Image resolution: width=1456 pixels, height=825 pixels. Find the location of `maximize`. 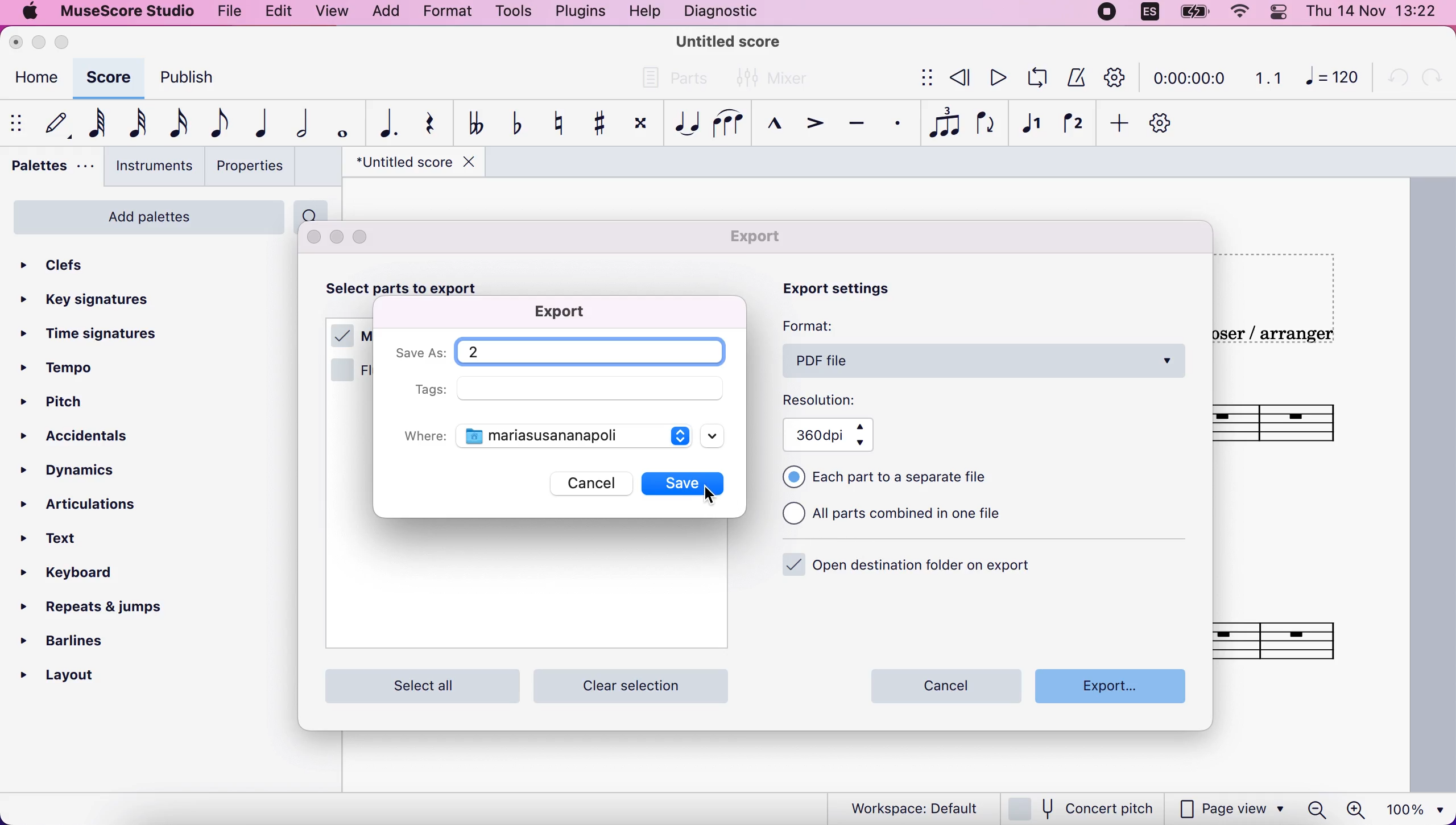

maximize is located at coordinates (68, 44).